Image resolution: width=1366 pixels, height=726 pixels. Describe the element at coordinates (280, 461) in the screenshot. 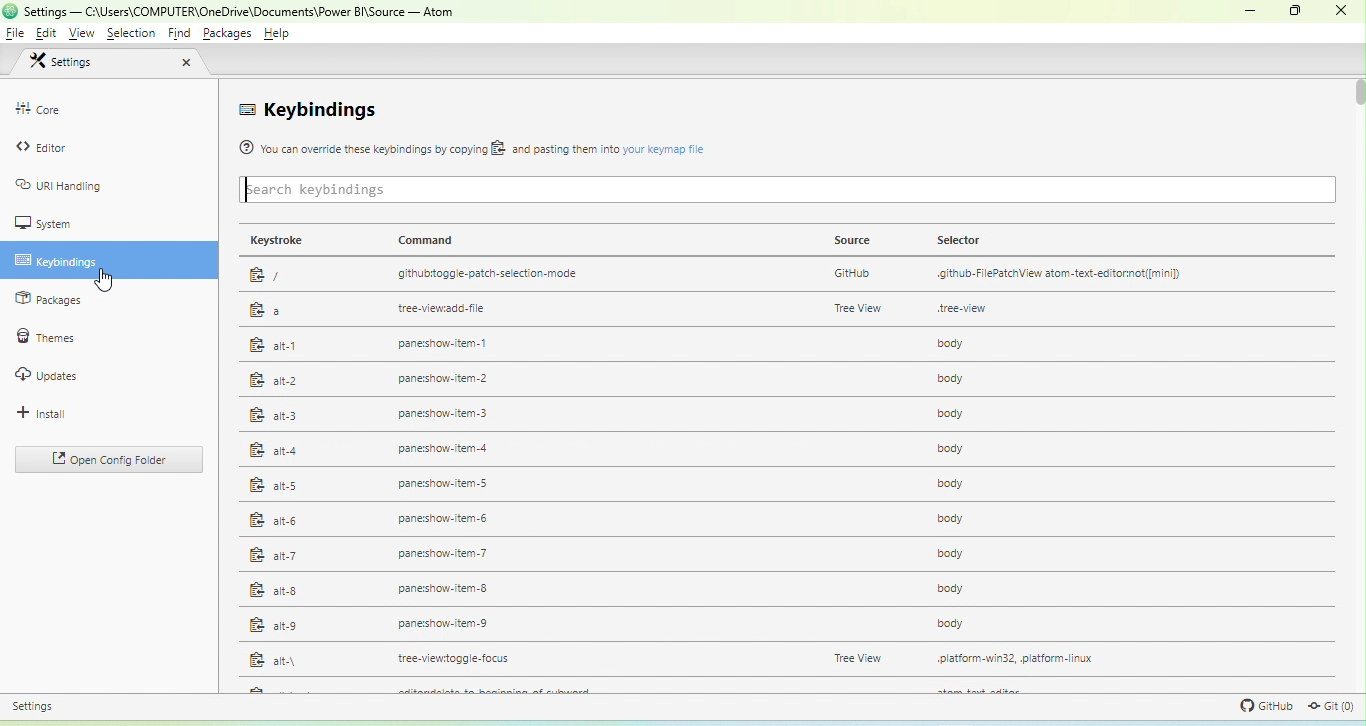

I see `keystroke` at that location.